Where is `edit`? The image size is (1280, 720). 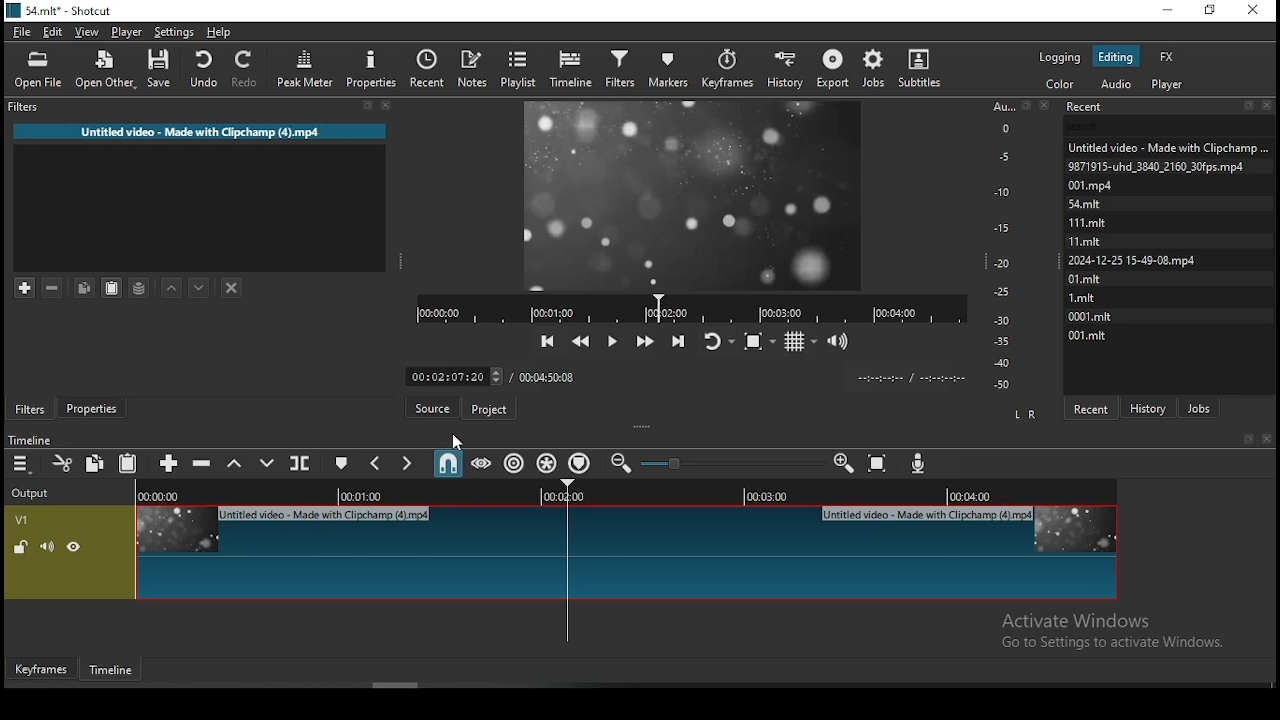
edit is located at coordinates (51, 32).